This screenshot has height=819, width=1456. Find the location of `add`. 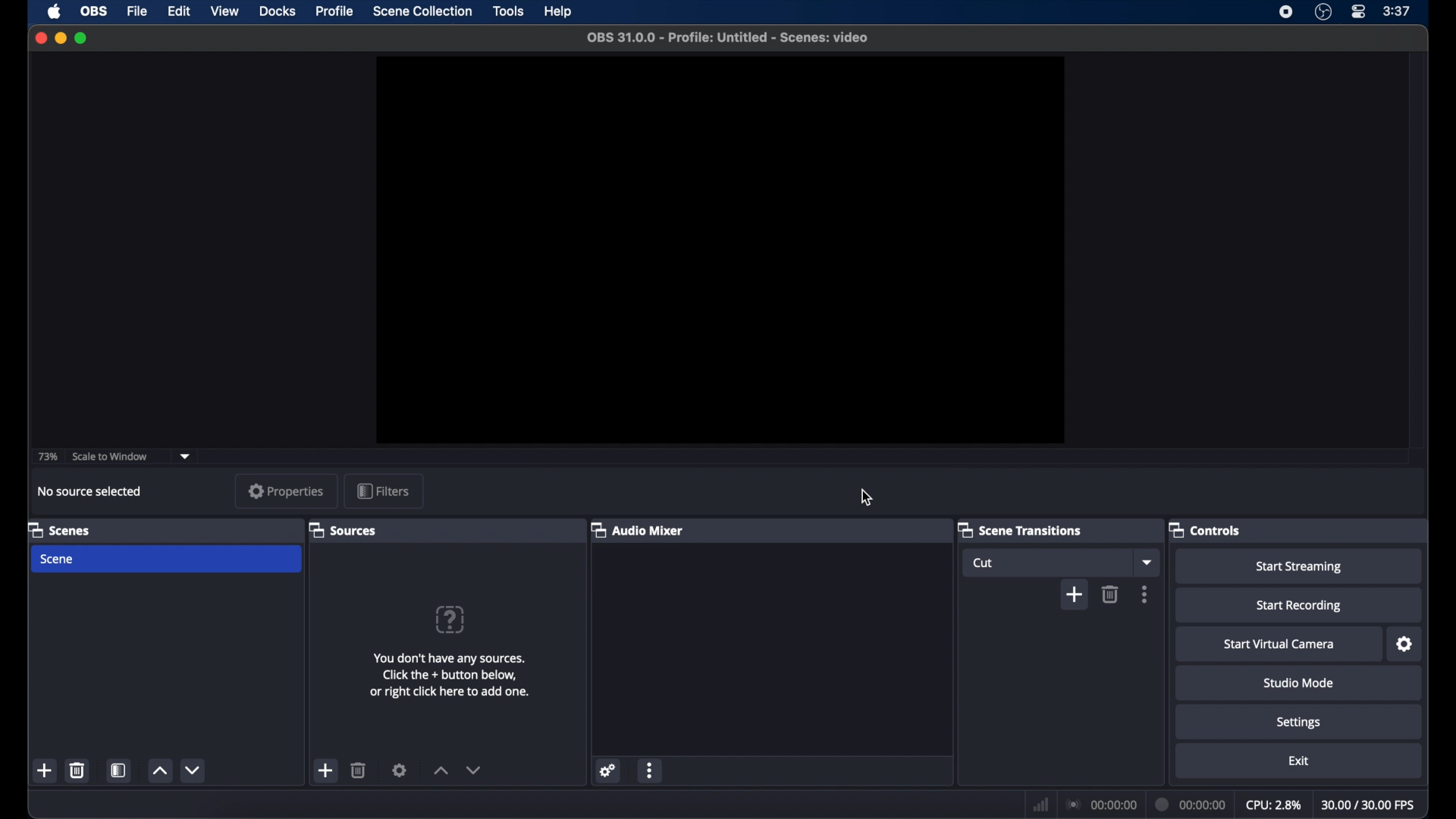

add is located at coordinates (326, 770).